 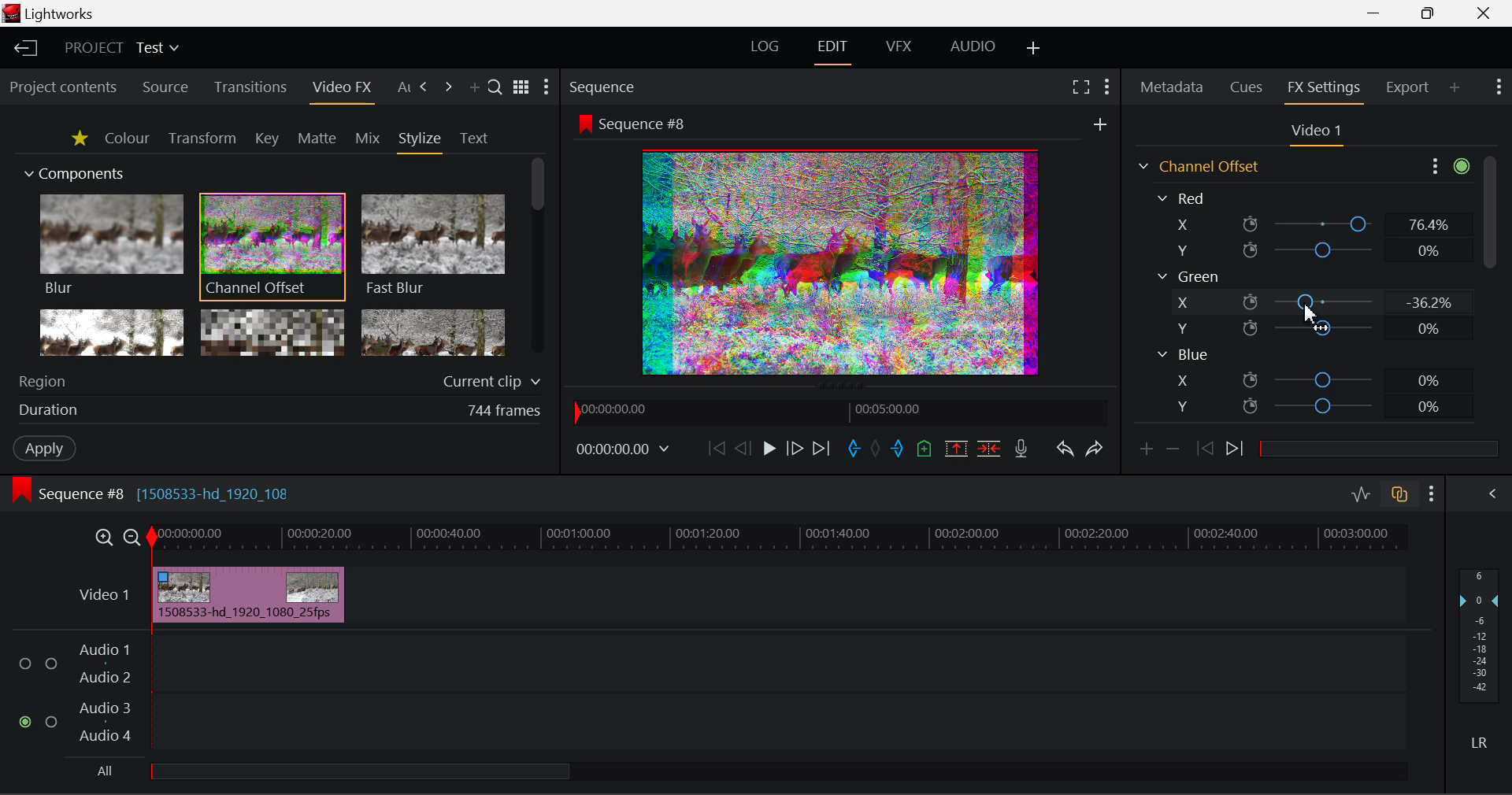 What do you see at coordinates (265, 139) in the screenshot?
I see `Key` at bounding box center [265, 139].